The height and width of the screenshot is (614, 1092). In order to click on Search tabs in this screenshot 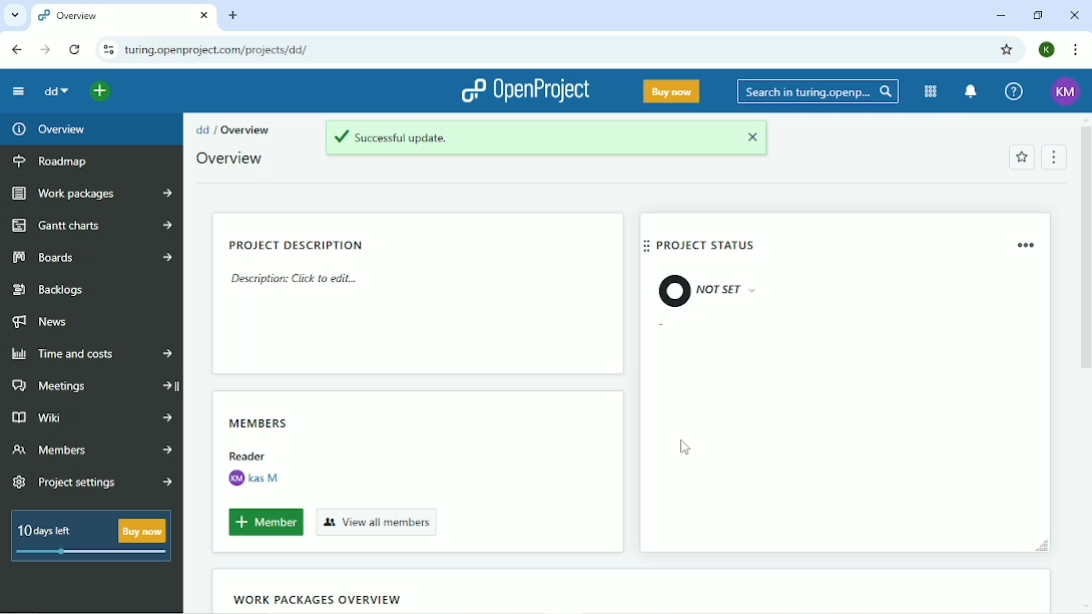, I will do `click(16, 17)`.